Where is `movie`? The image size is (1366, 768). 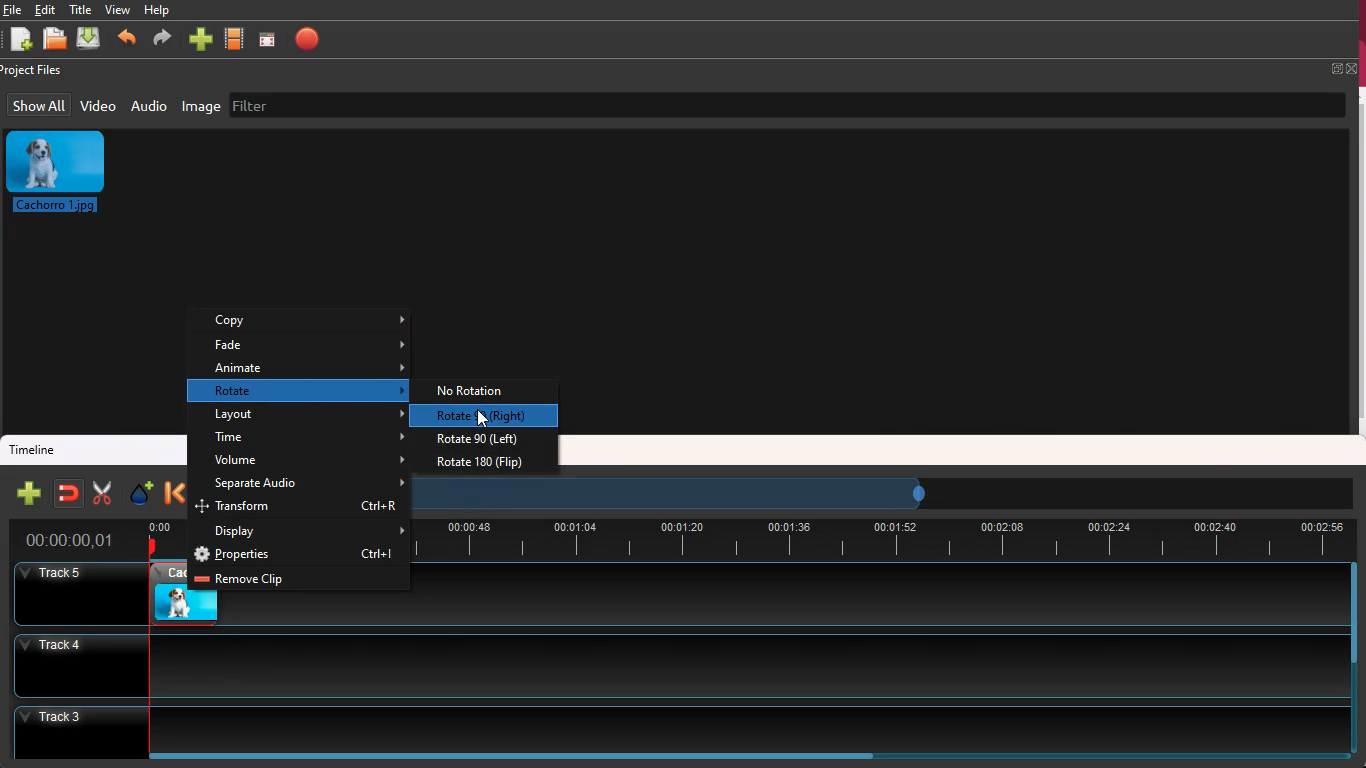
movie is located at coordinates (235, 38).